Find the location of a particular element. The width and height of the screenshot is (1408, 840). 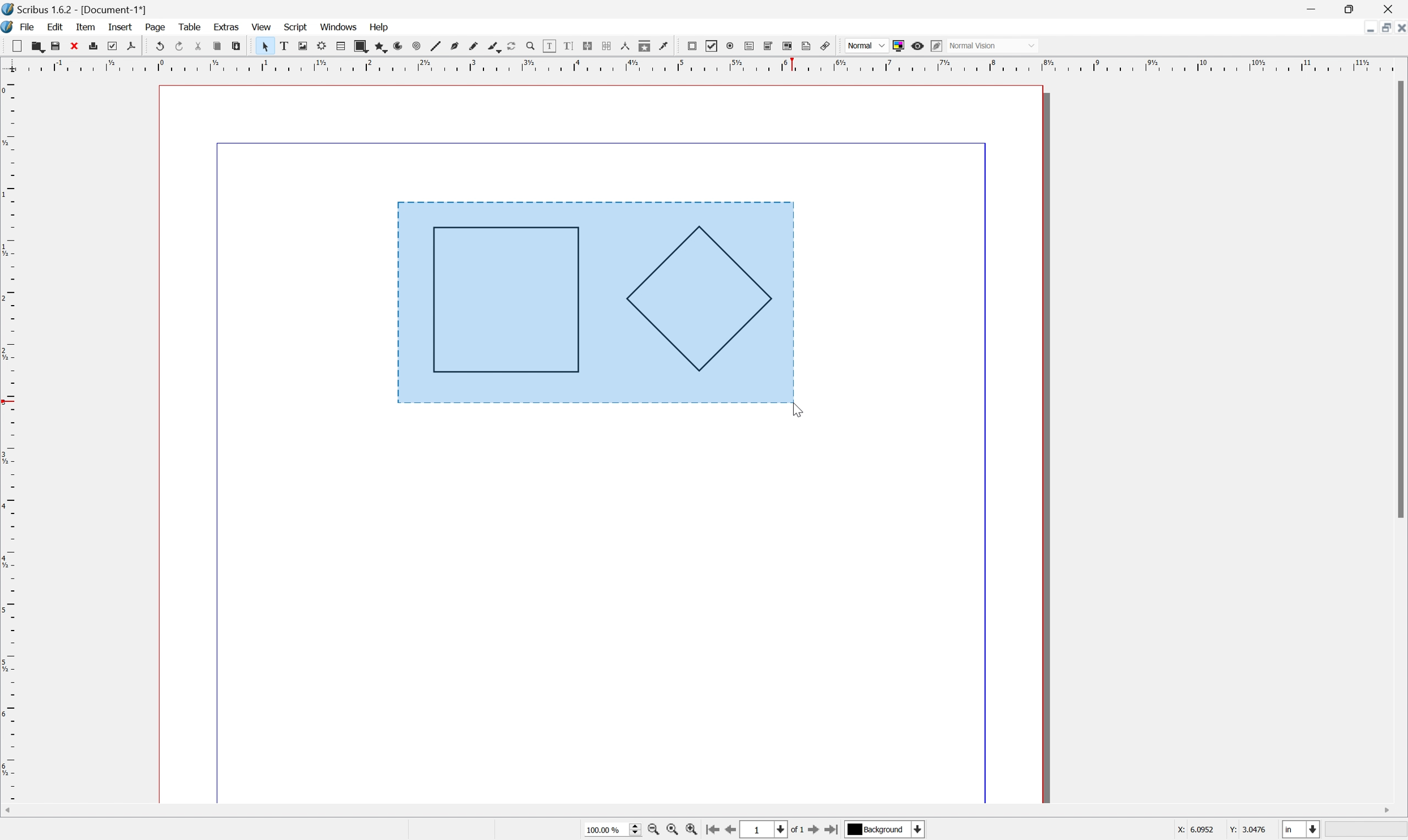

Select current page is located at coordinates (771, 831).